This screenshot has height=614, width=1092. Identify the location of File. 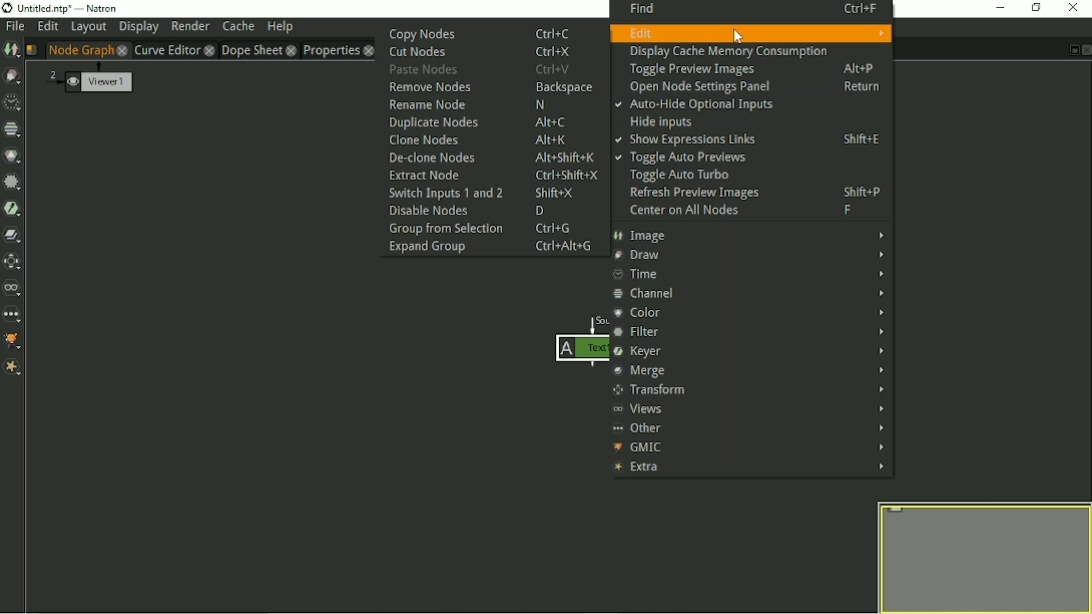
(14, 28).